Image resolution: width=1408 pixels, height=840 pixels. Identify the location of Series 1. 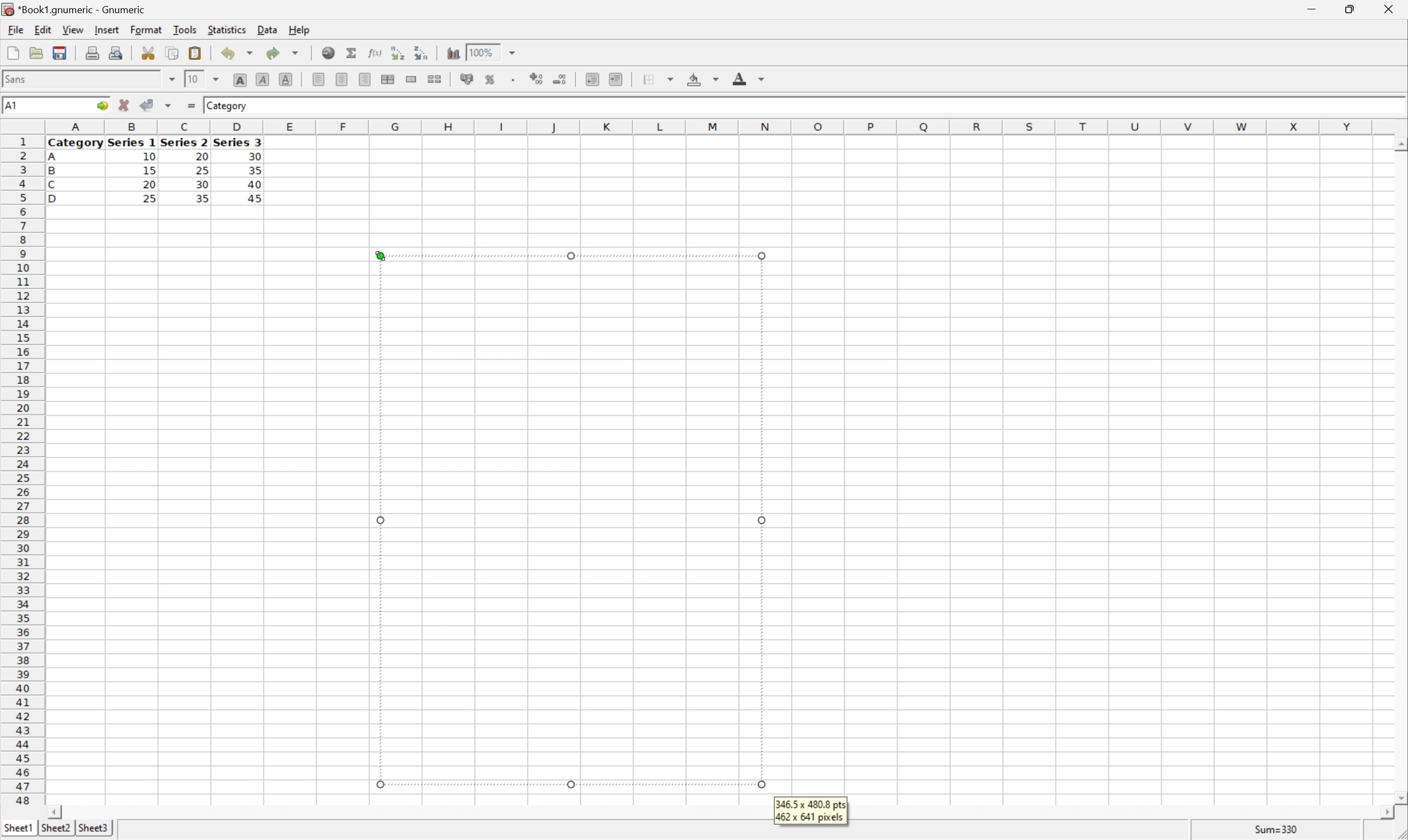
(132, 143).